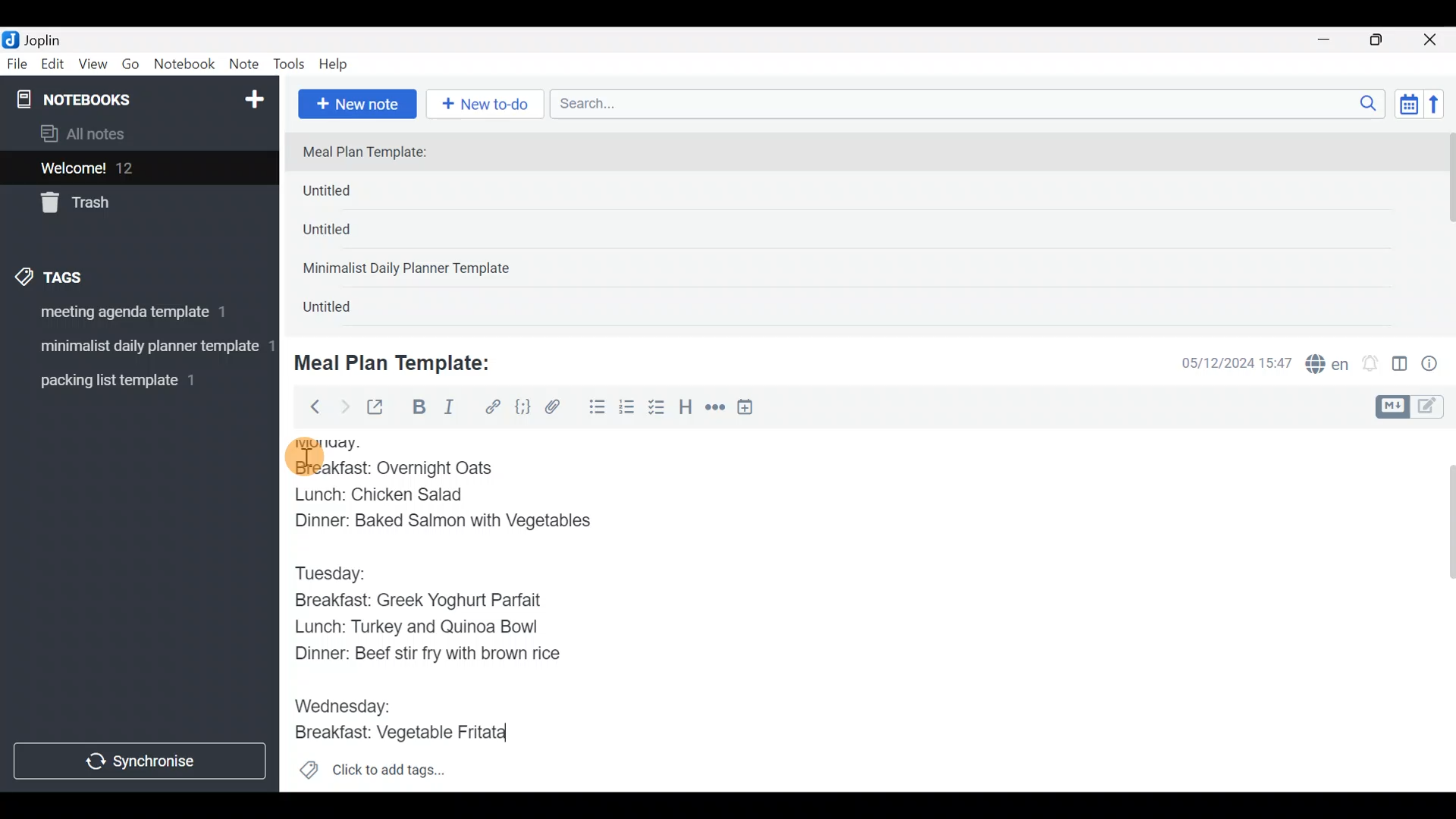 The image size is (1456, 819). Describe the element at coordinates (1401, 366) in the screenshot. I see `Toggle editor layout` at that location.